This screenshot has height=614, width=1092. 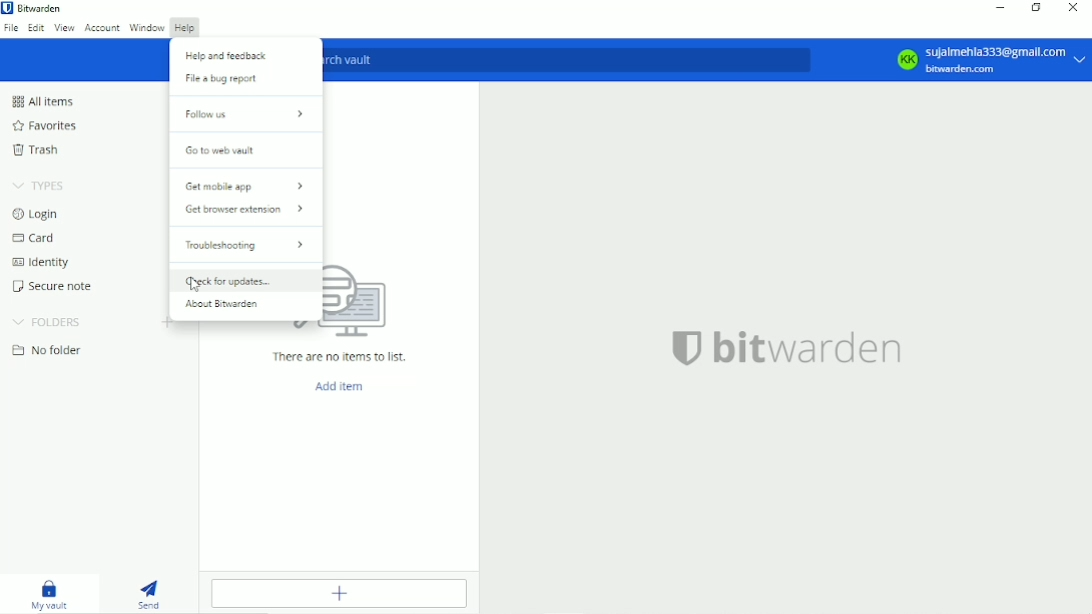 What do you see at coordinates (228, 78) in the screenshot?
I see `File a bug report` at bounding box center [228, 78].